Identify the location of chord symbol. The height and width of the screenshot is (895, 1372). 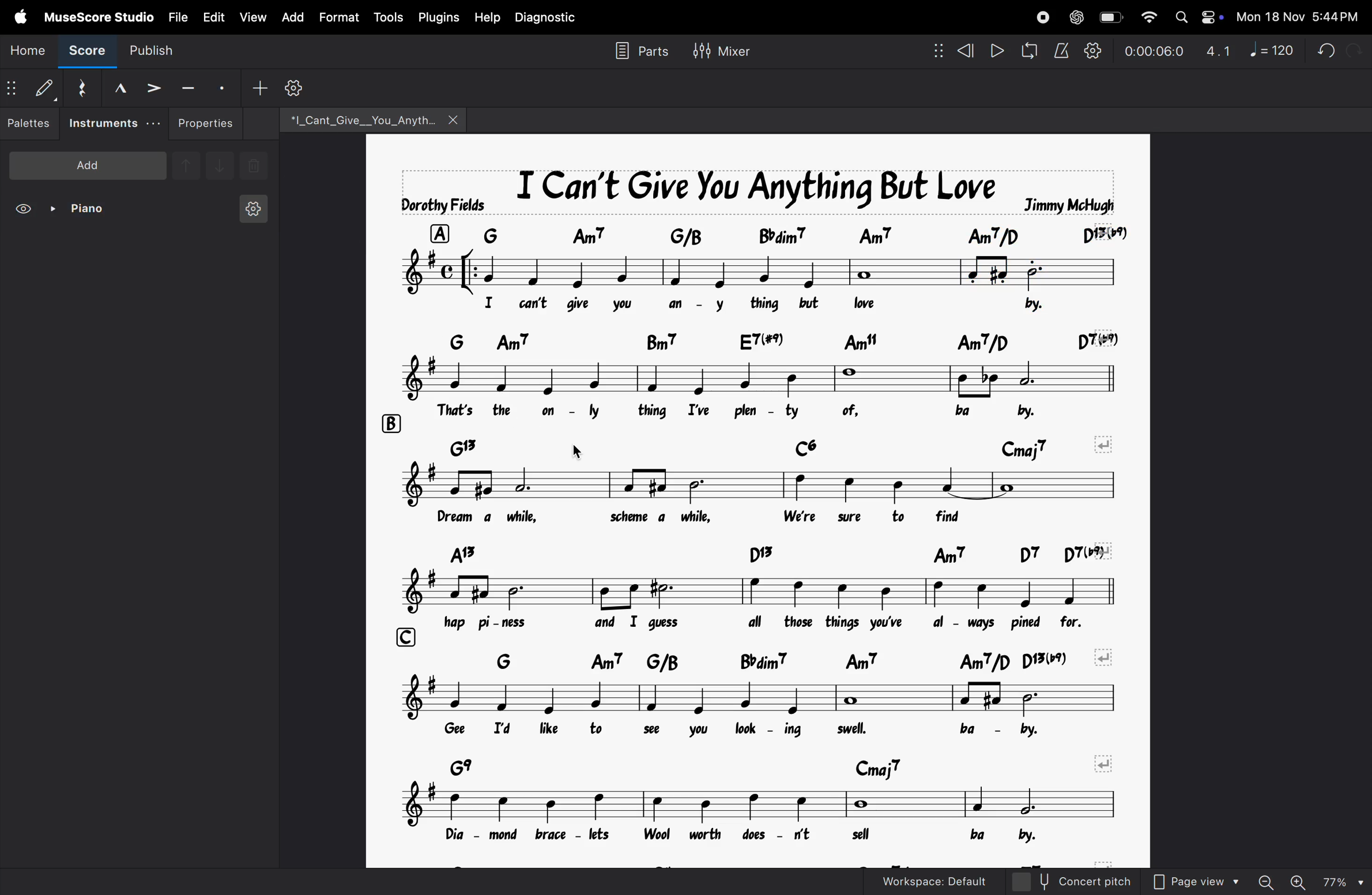
(803, 337).